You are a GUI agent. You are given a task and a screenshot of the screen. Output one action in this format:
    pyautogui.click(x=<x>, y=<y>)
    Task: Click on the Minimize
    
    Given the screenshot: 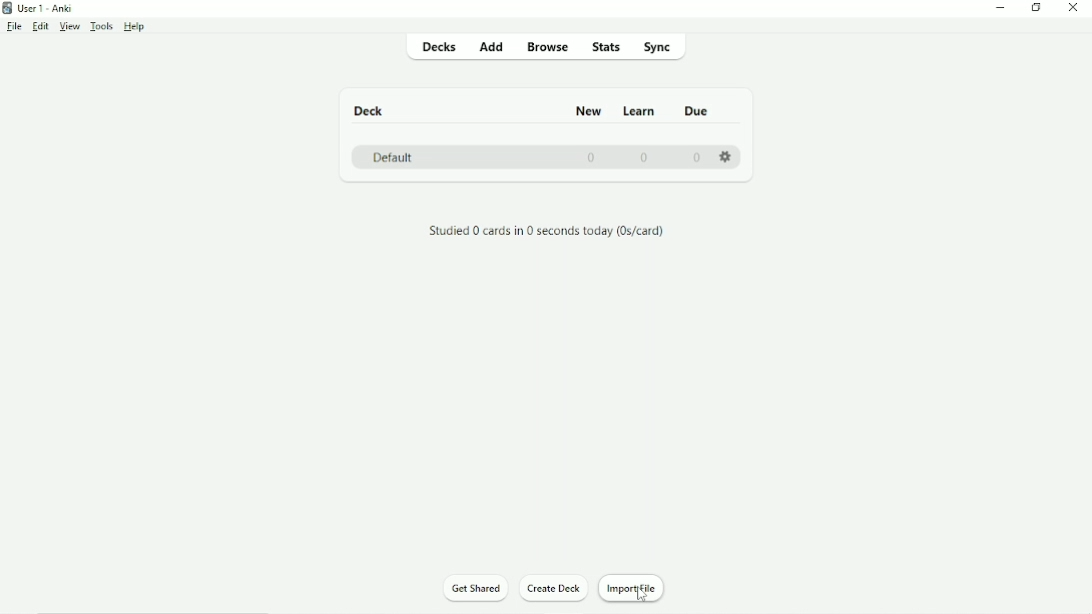 What is the action you would take?
    pyautogui.click(x=1002, y=8)
    